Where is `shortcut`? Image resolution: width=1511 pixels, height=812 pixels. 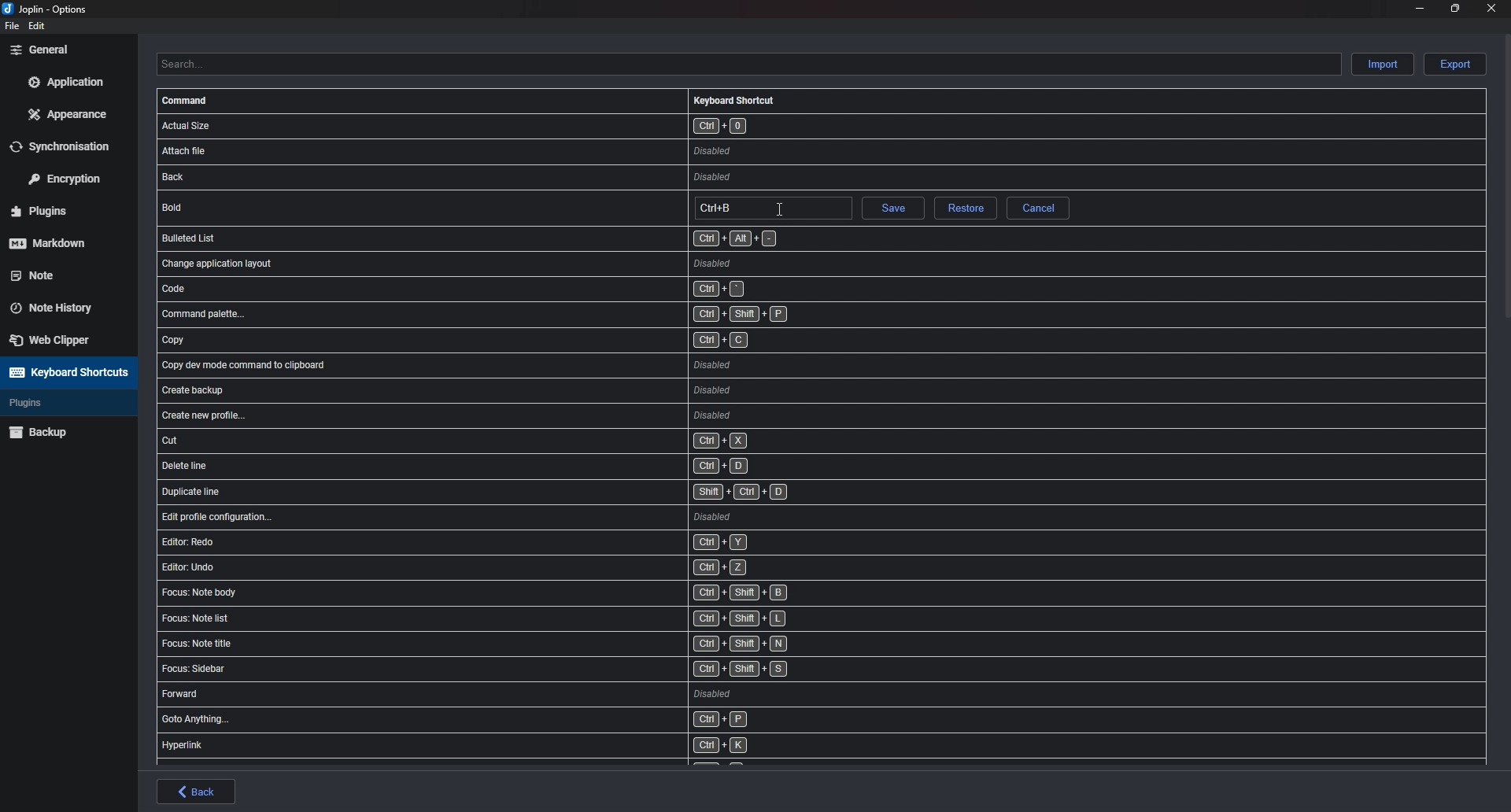 shortcut is located at coordinates (526, 542).